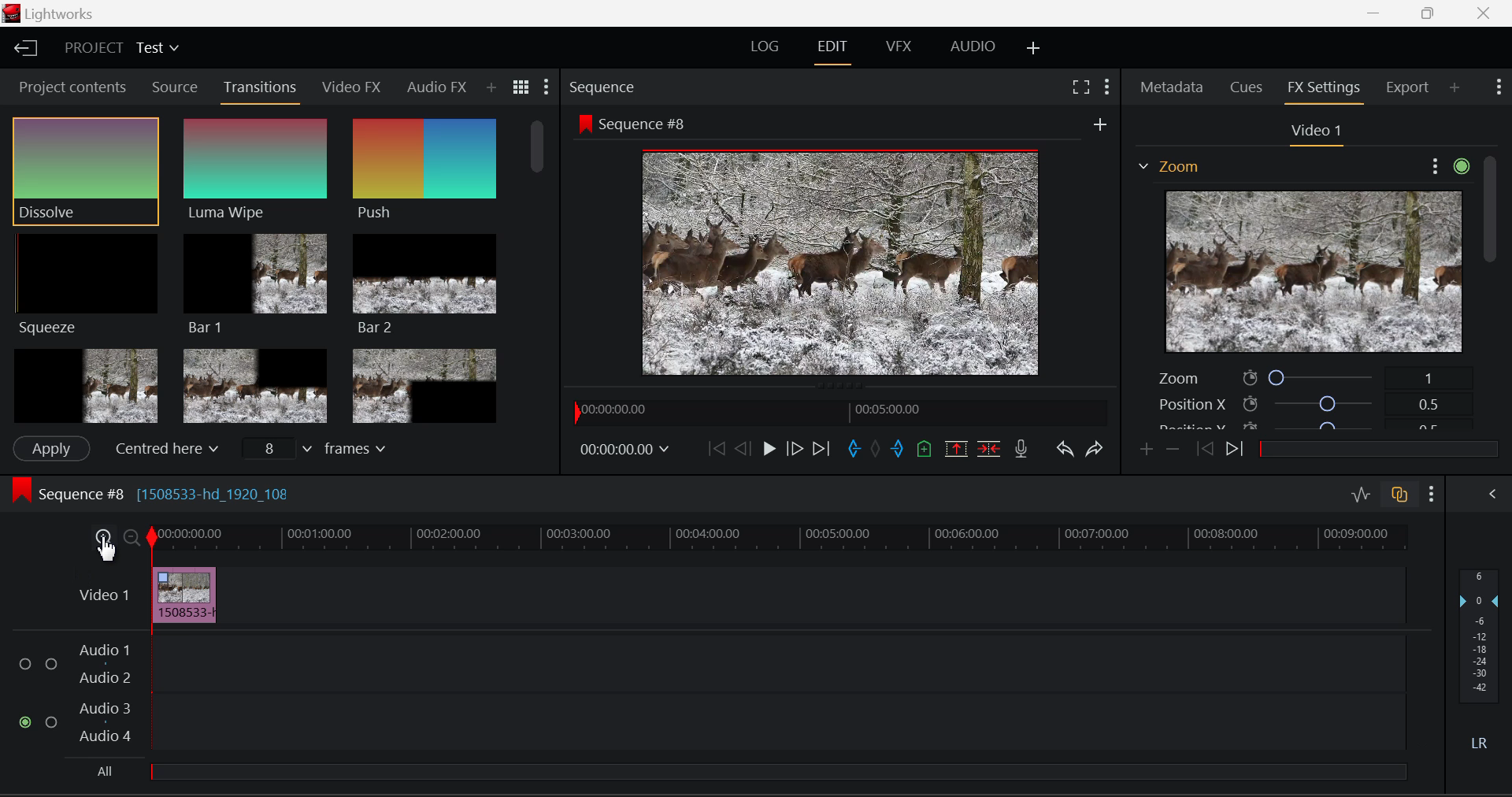 The height and width of the screenshot is (797, 1512). I want to click on Go Back, so click(745, 451).